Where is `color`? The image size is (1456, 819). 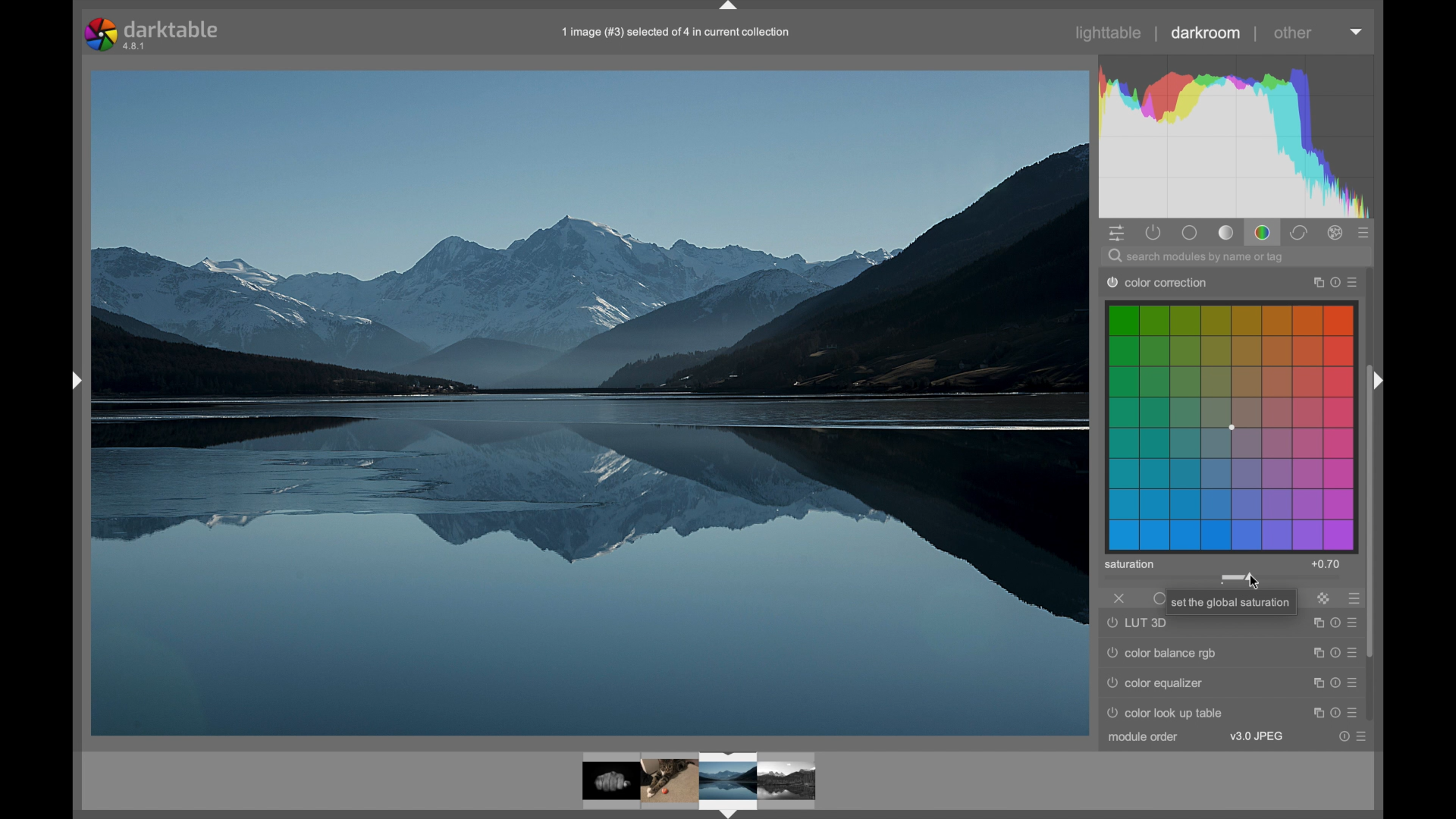 color is located at coordinates (1263, 232).